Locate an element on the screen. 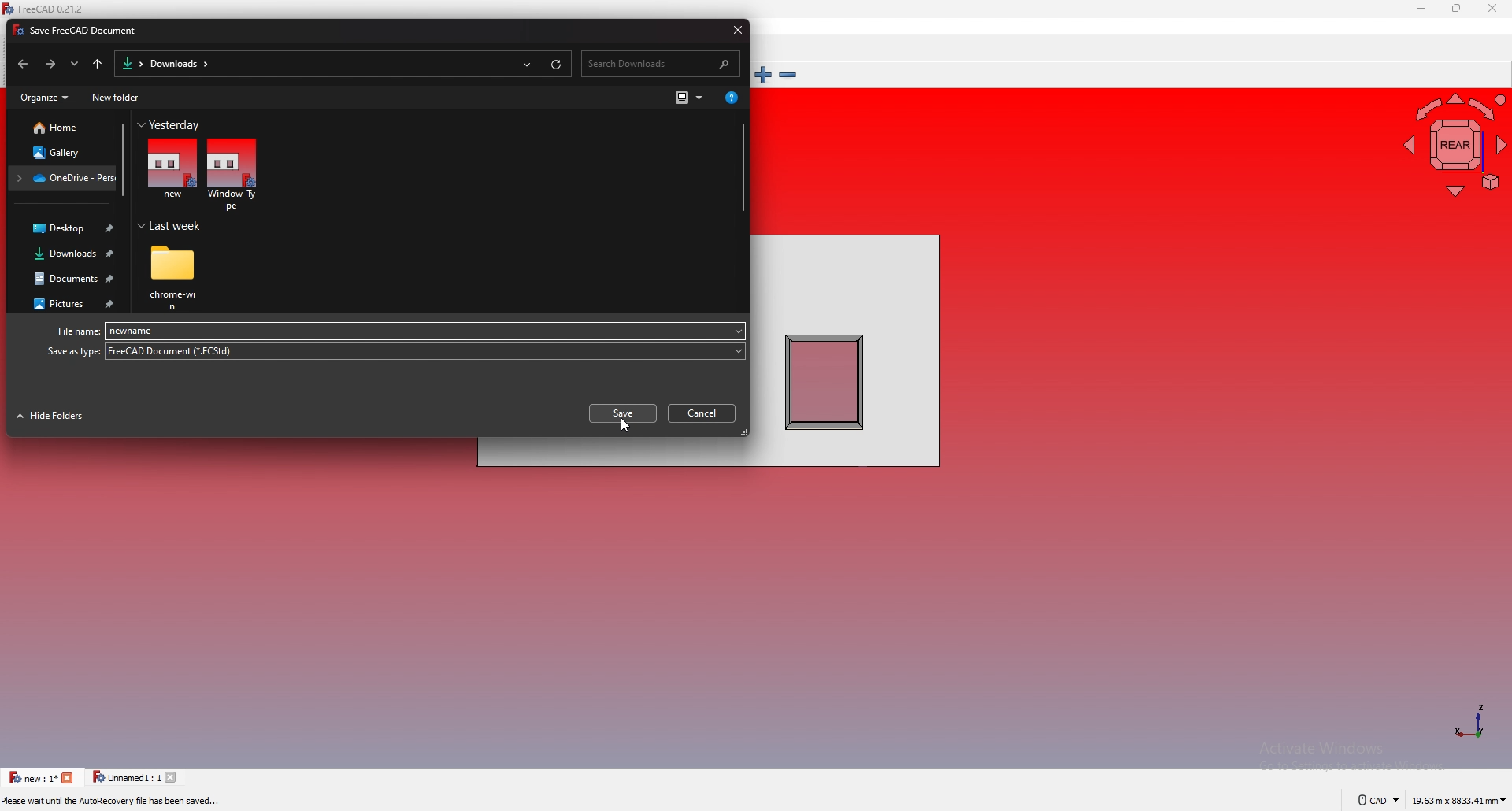 The width and height of the screenshot is (1512, 811). File name is located at coordinates (74, 331).